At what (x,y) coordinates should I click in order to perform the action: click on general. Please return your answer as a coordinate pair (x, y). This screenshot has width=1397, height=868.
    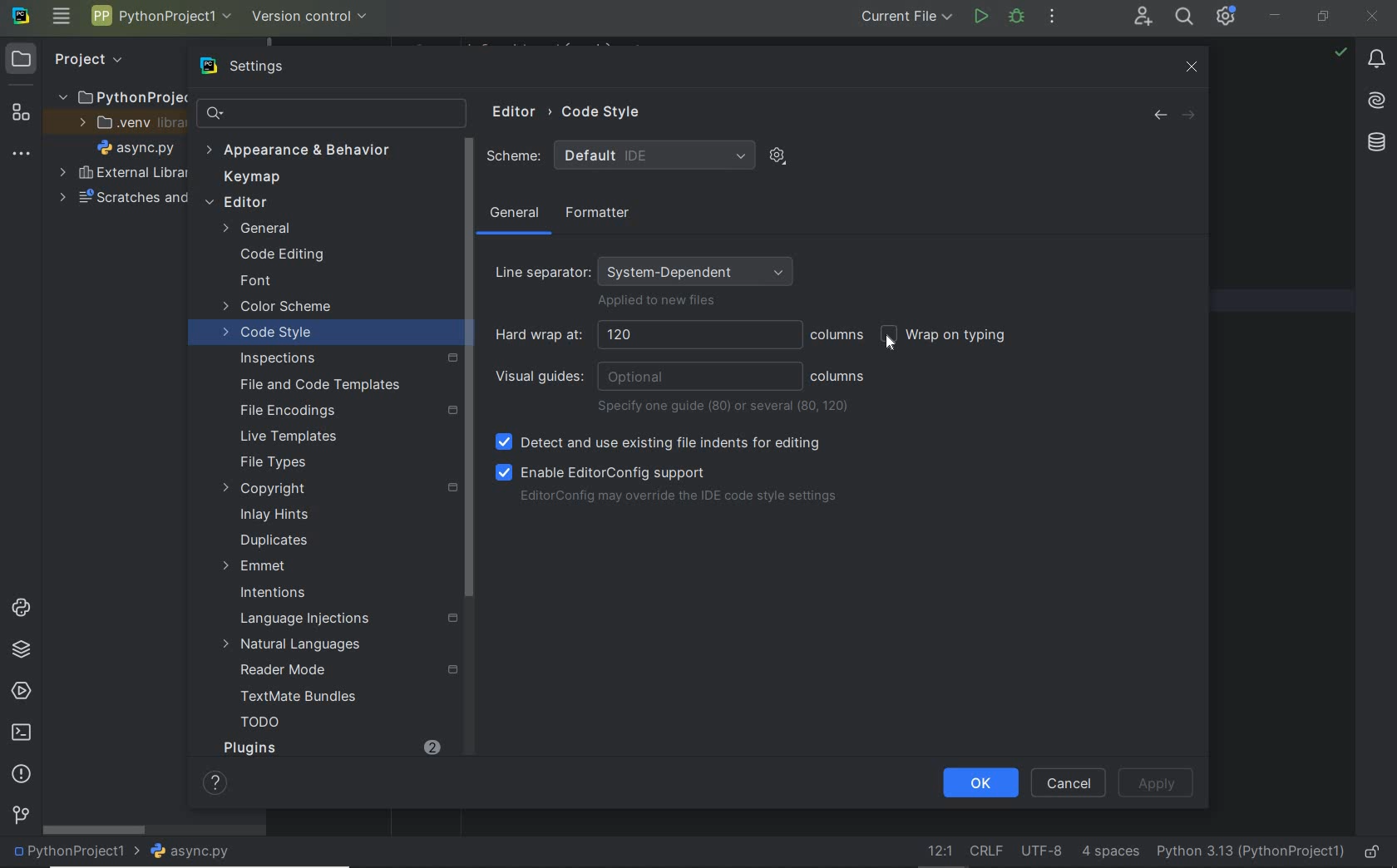
    Looking at the image, I should click on (515, 216).